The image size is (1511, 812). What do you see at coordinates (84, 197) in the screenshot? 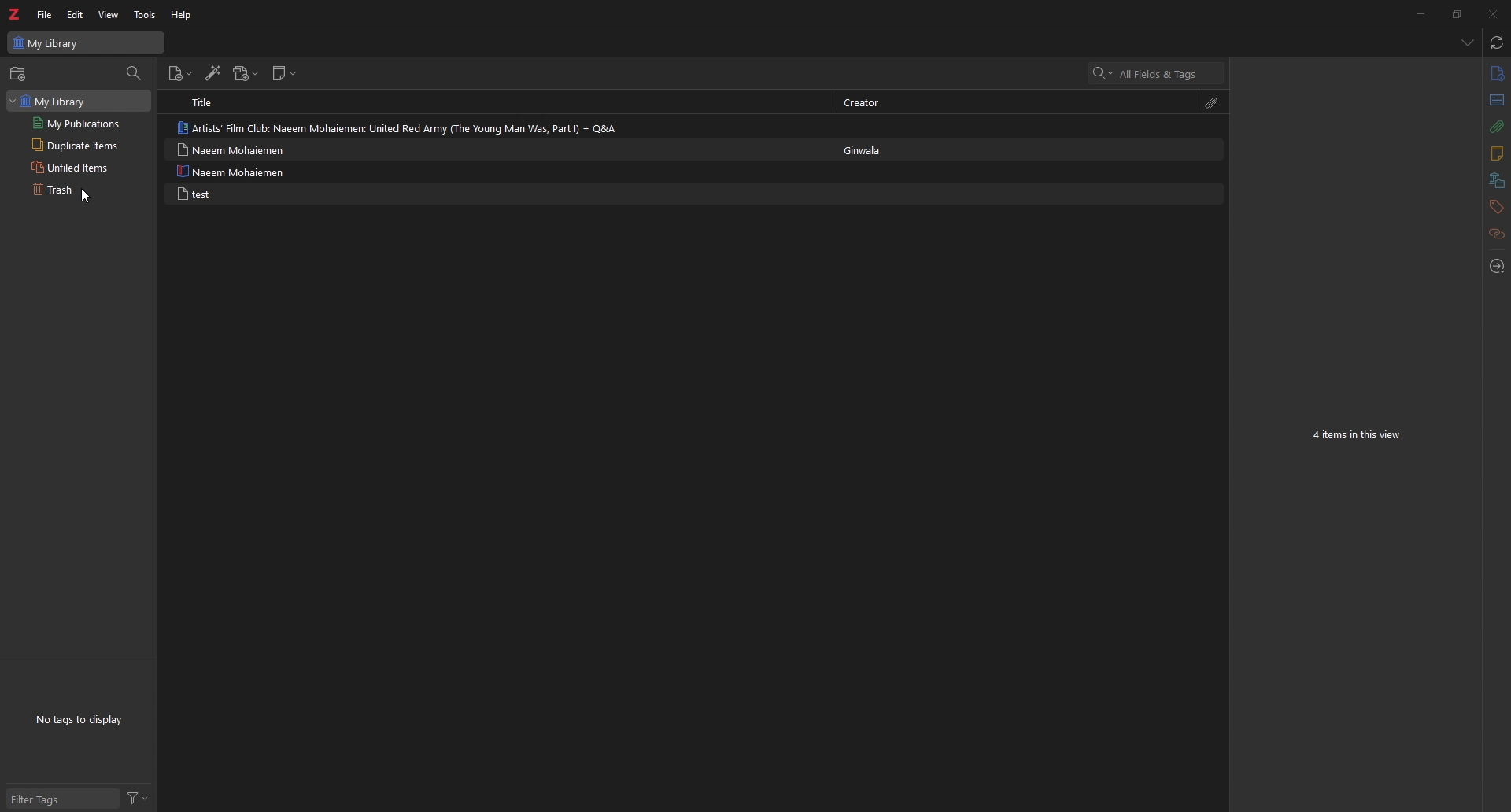
I see `Cursor` at bounding box center [84, 197].